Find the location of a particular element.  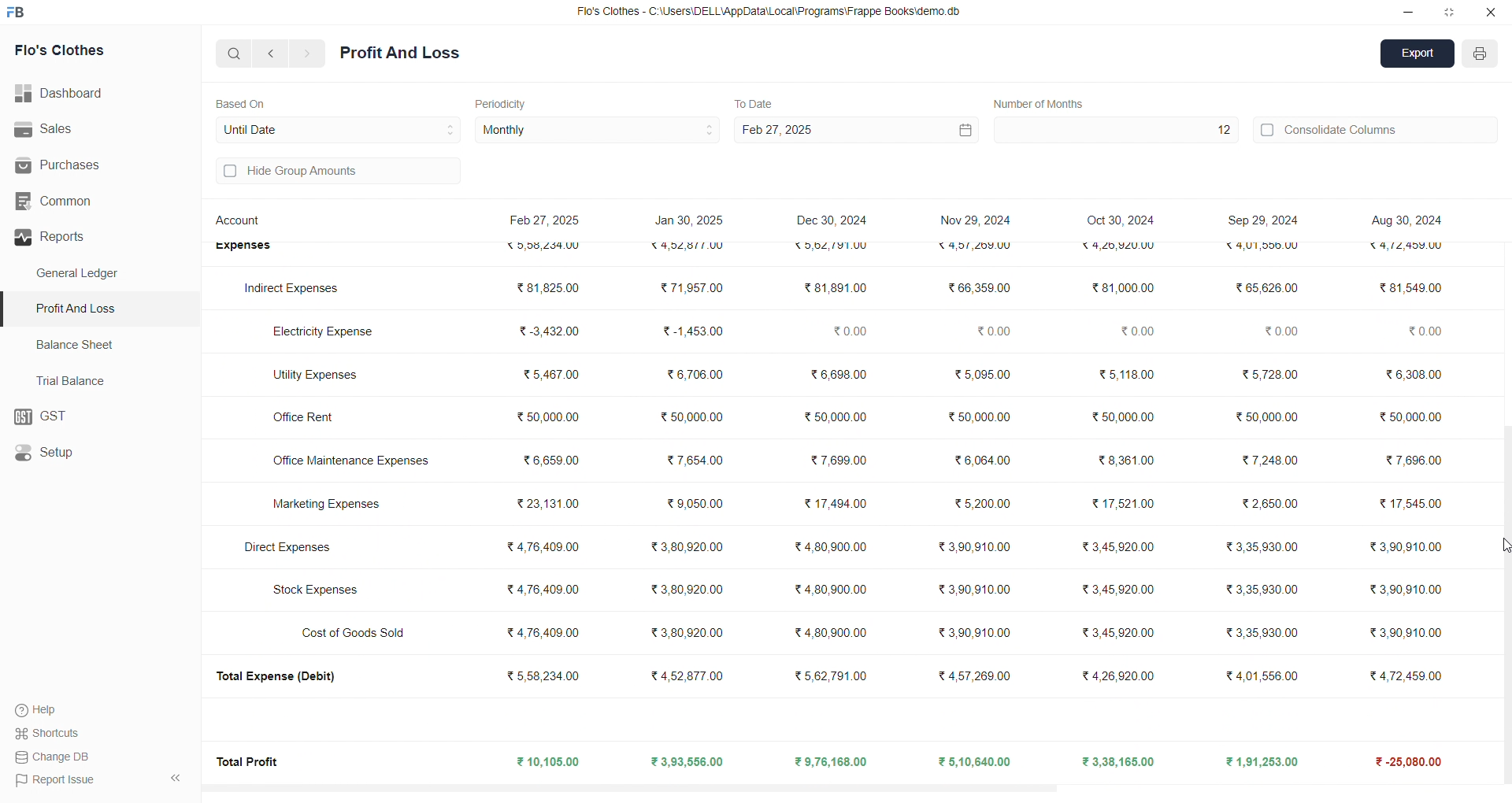

Export is located at coordinates (1418, 55).